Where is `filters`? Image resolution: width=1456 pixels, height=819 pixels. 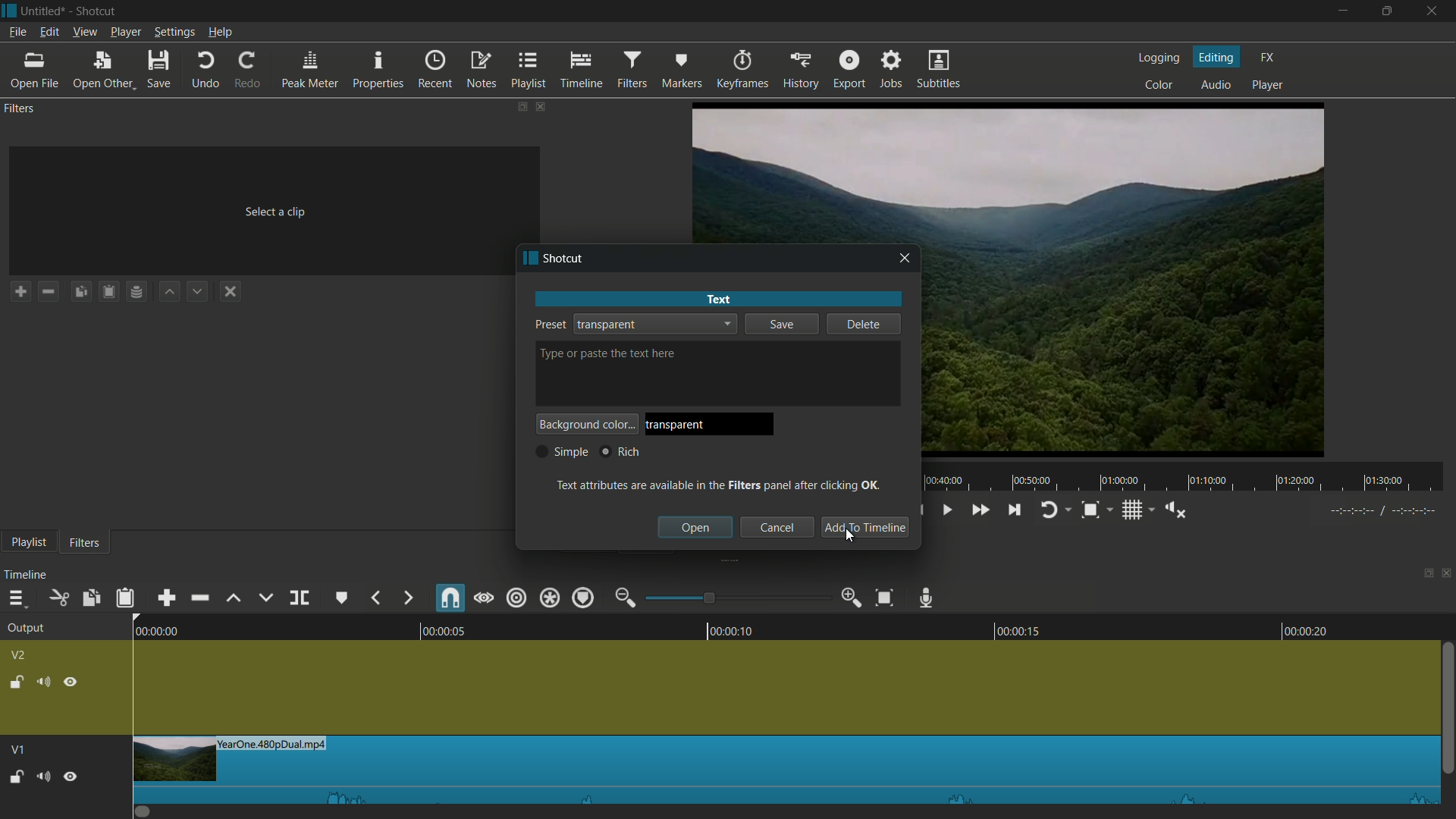
filters is located at coordinates (21, 109).